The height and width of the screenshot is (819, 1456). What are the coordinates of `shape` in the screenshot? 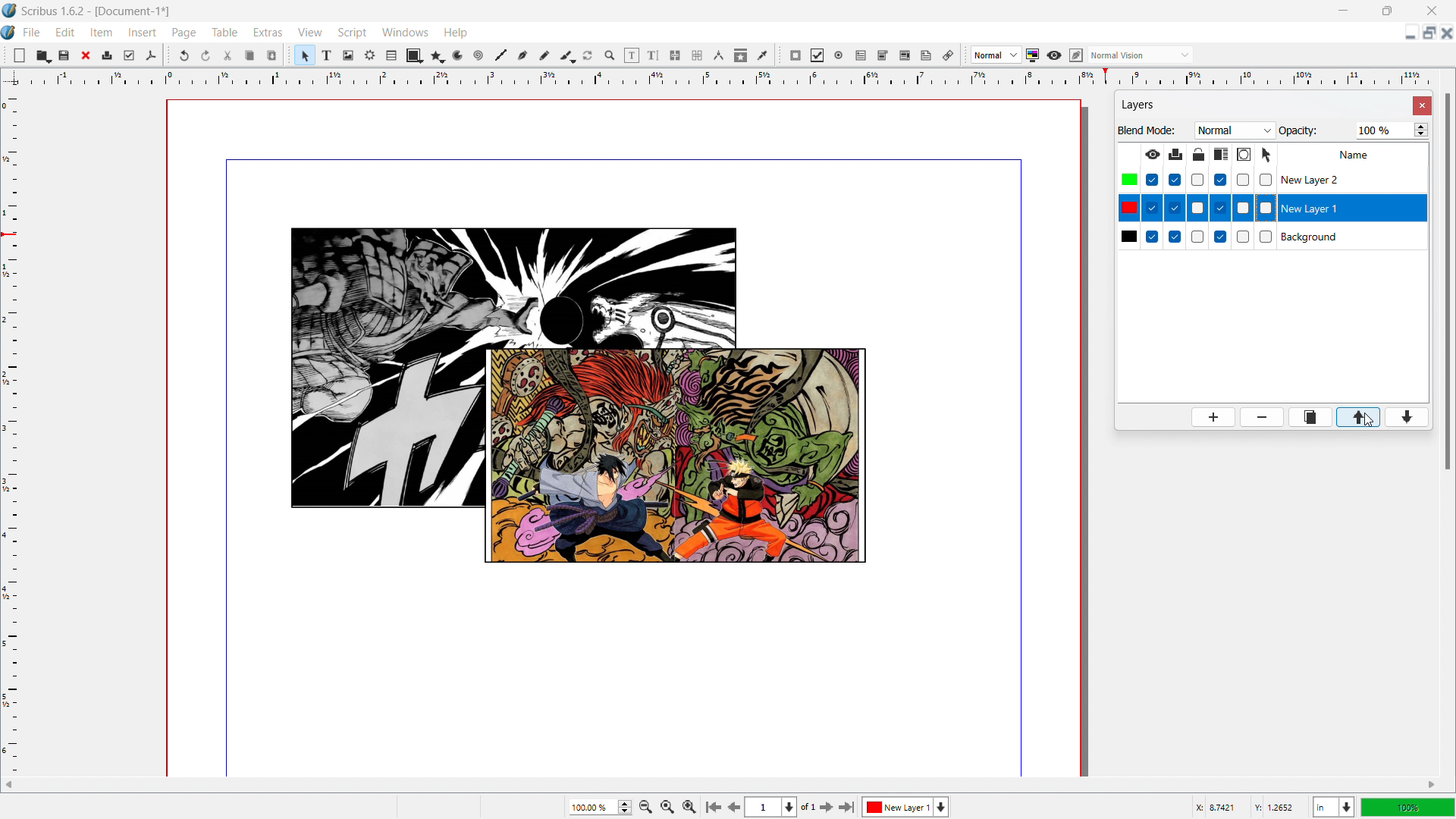 It's located at (414, 55).